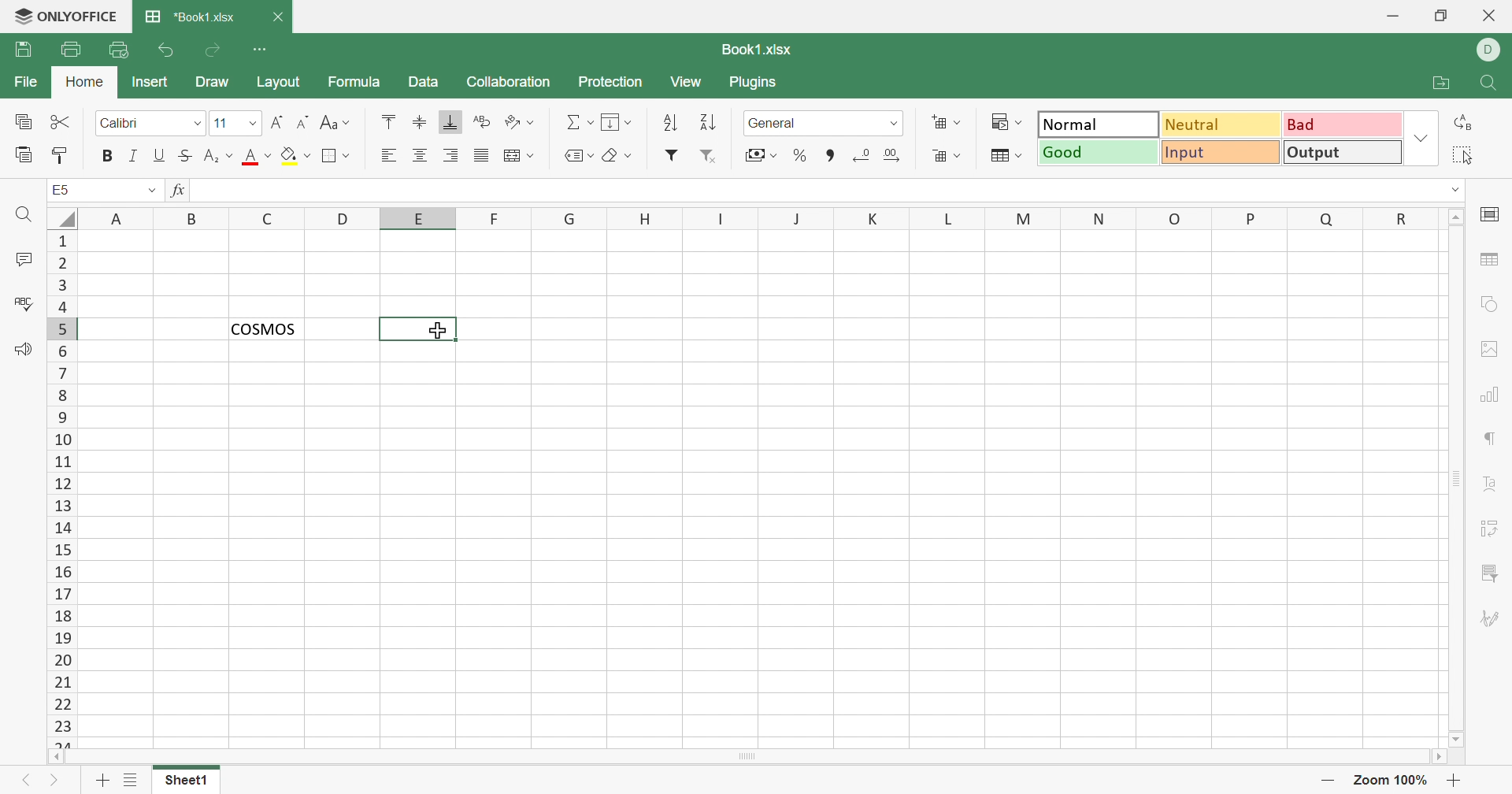  I want to click on Sheet1, so click(187, 783).